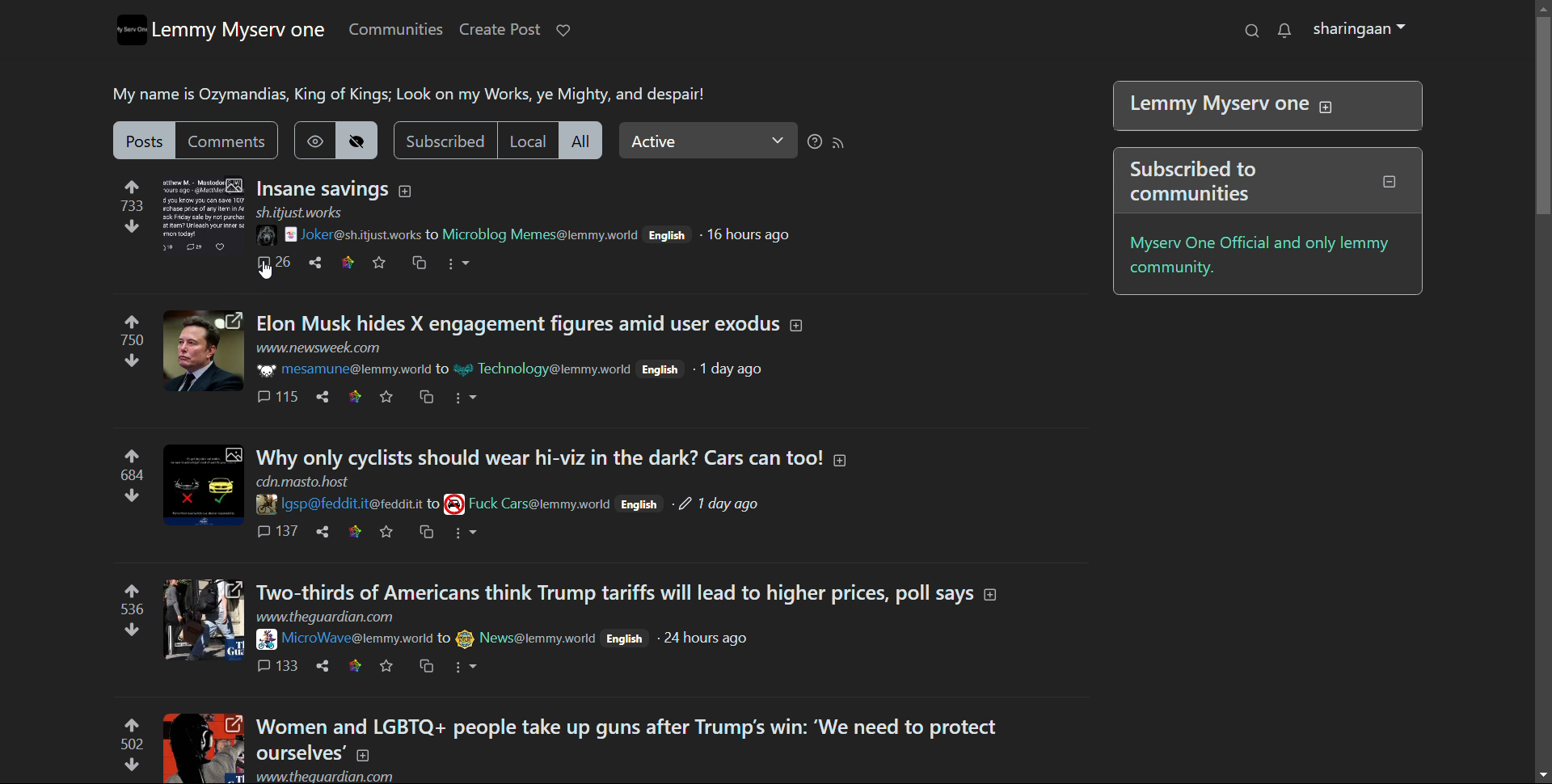  I want to click on share, so click(321, 396).